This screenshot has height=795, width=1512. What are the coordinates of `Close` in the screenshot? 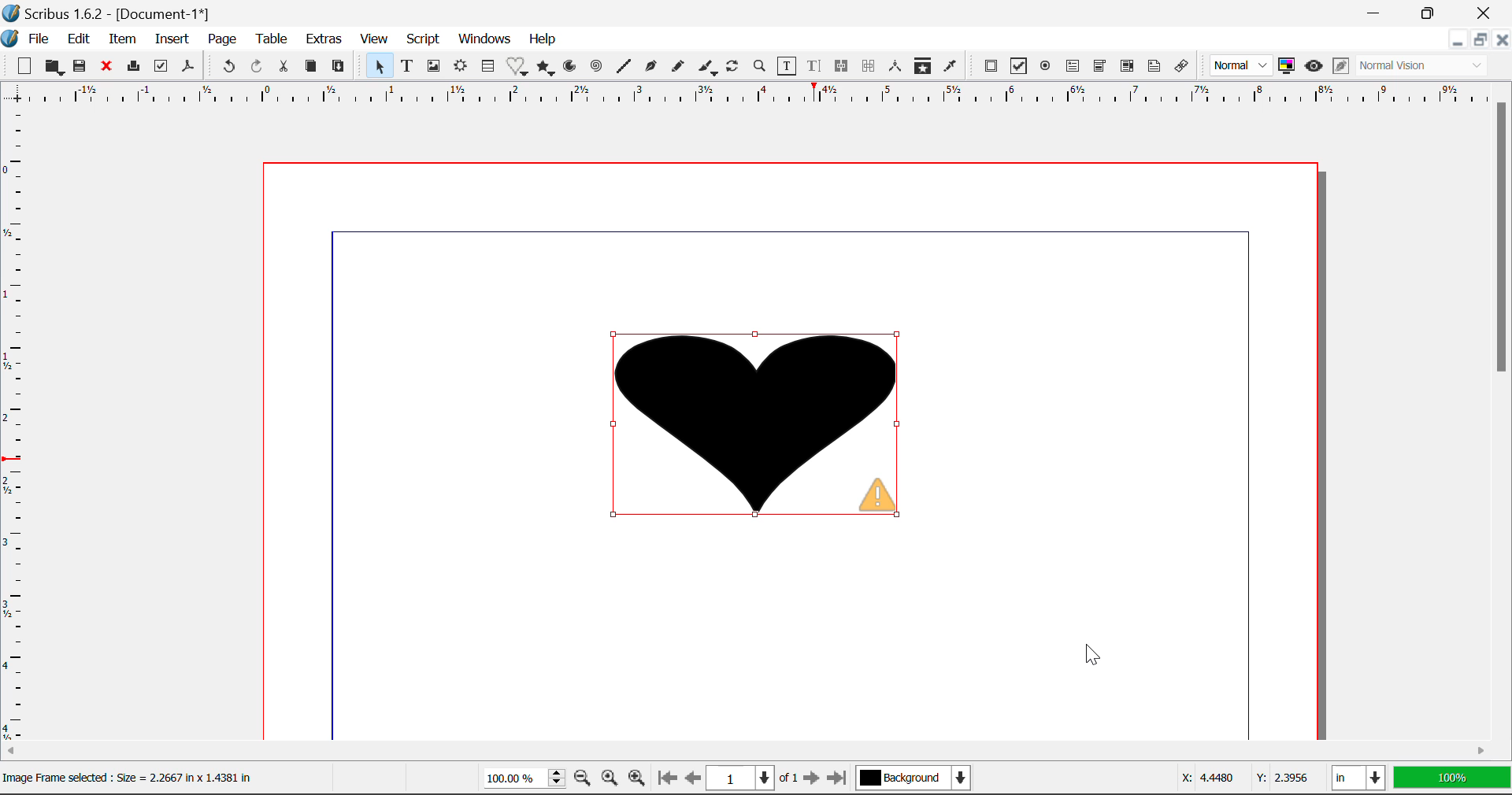 It's located at (1503, 42).